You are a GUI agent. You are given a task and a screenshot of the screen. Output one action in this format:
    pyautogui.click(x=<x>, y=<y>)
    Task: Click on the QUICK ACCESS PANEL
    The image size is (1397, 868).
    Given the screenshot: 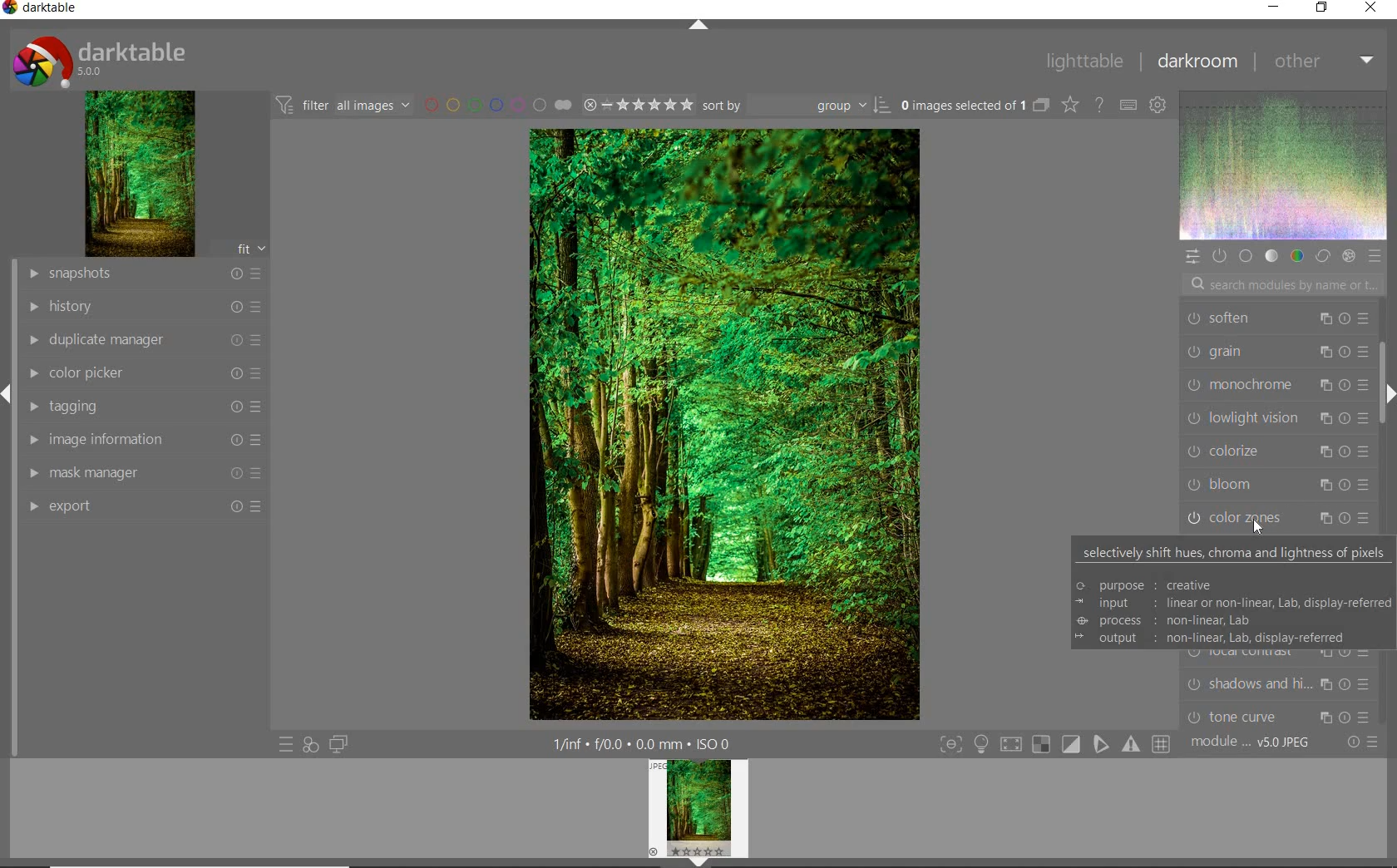 What is the action you would take?
    pyautogui.click(x=1193, y=256)
    